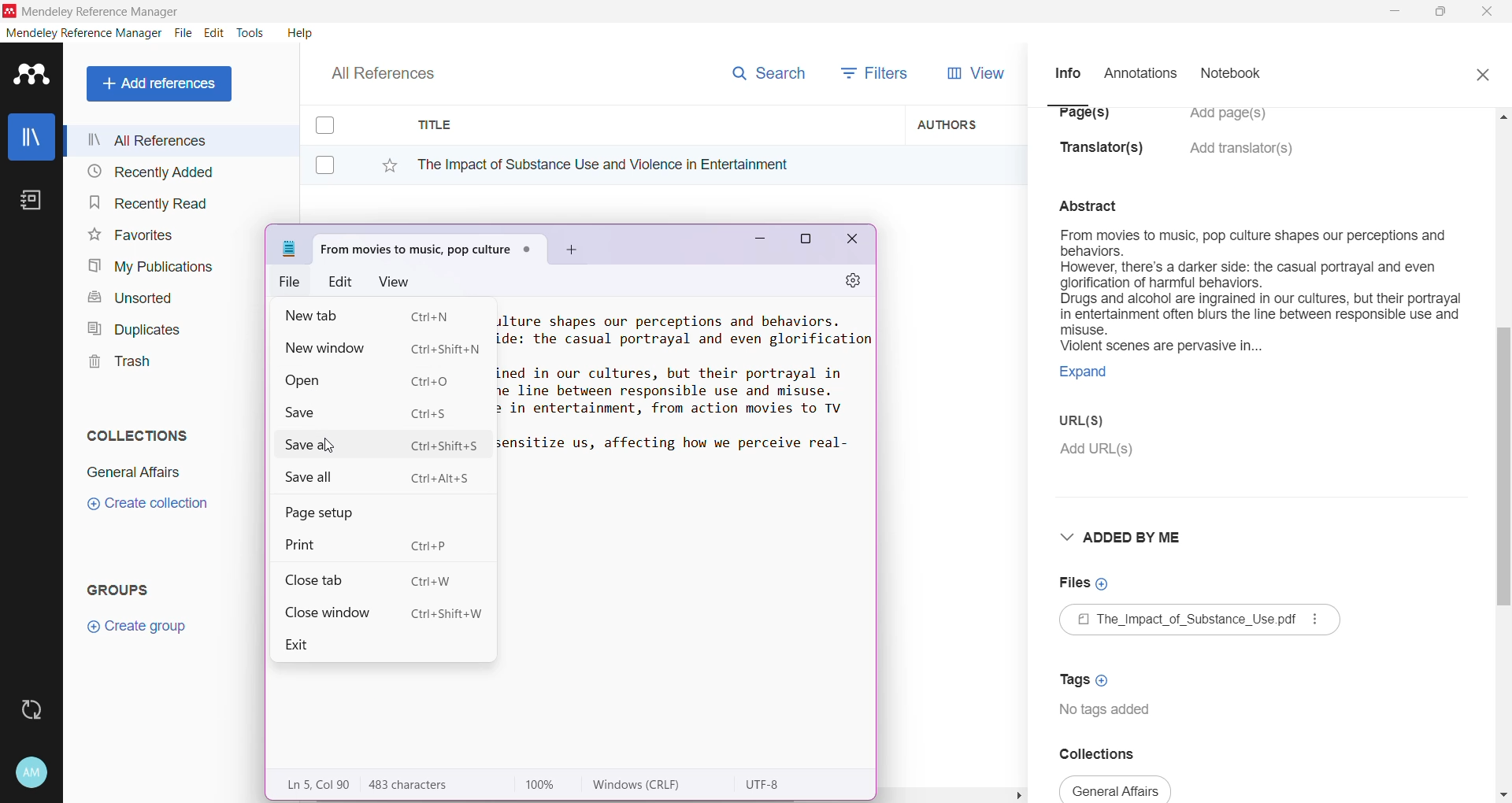 The image size is (1512, 803). What do you see at coordinates (140, 632) in the screenshot?
I see `Click to Create Group` at bounding box center [140, 632].